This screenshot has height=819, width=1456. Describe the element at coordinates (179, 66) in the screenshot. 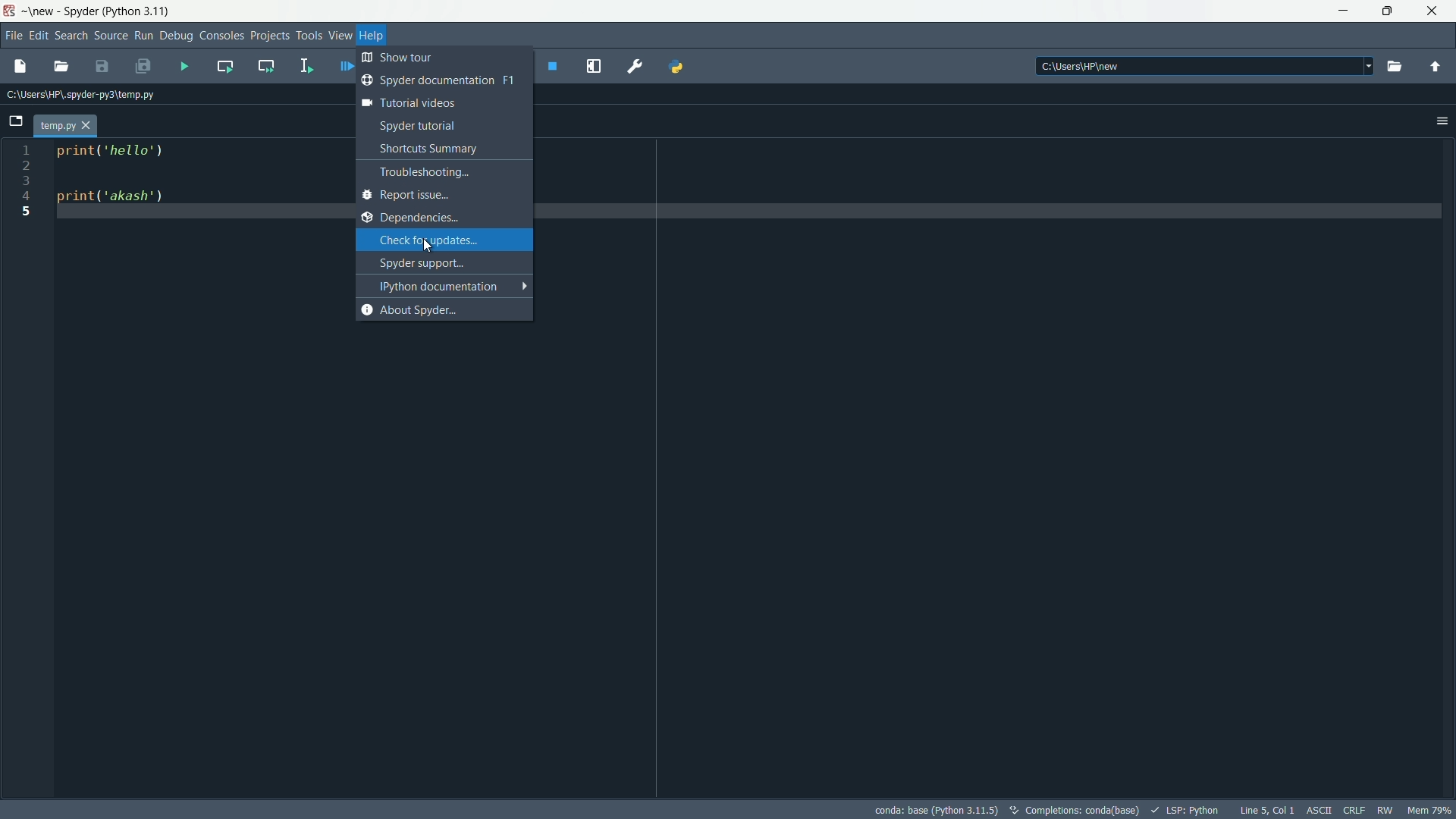

I see `run file` at that location.